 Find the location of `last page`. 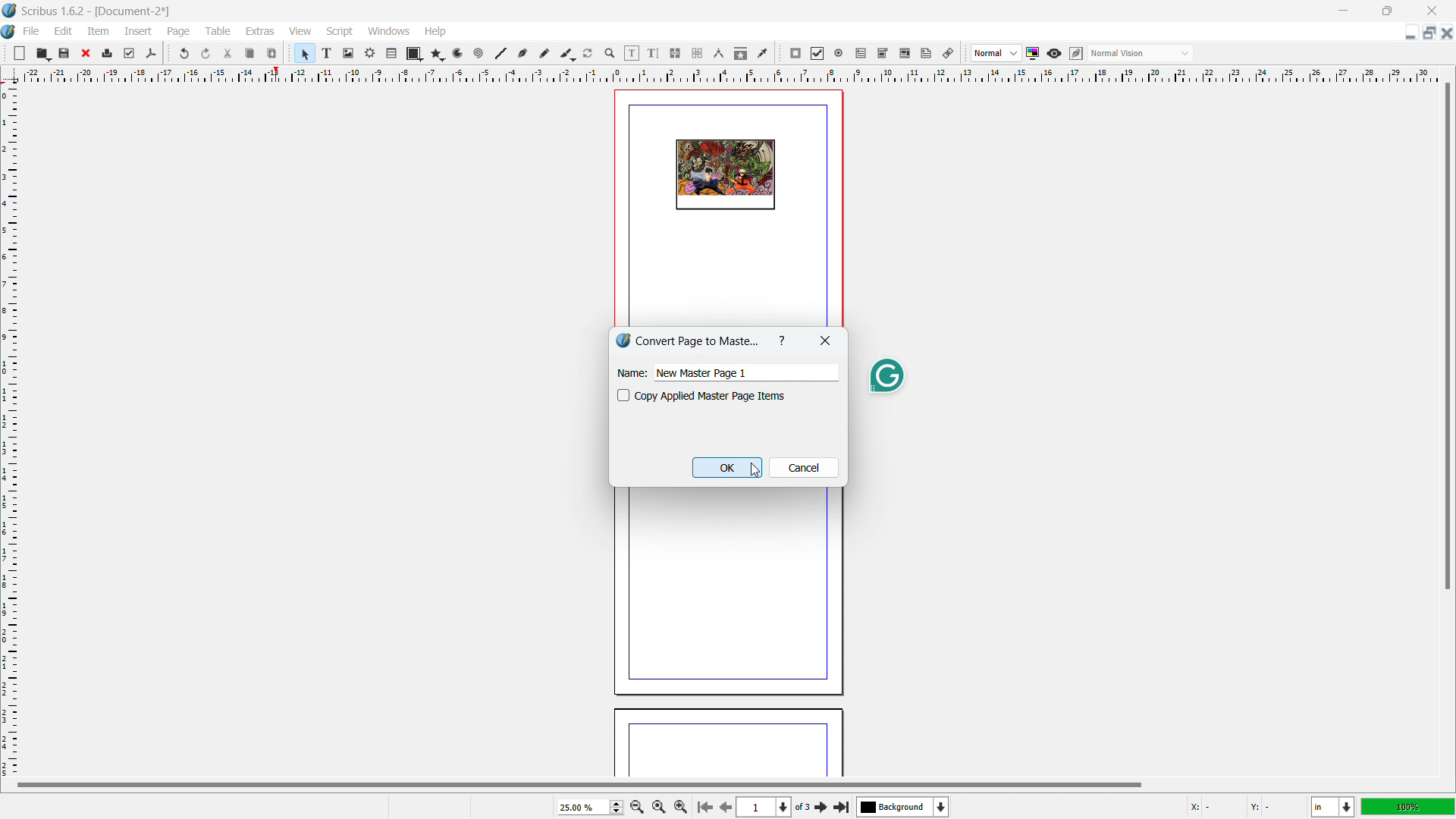

last page is located at coordinates (841, 805).